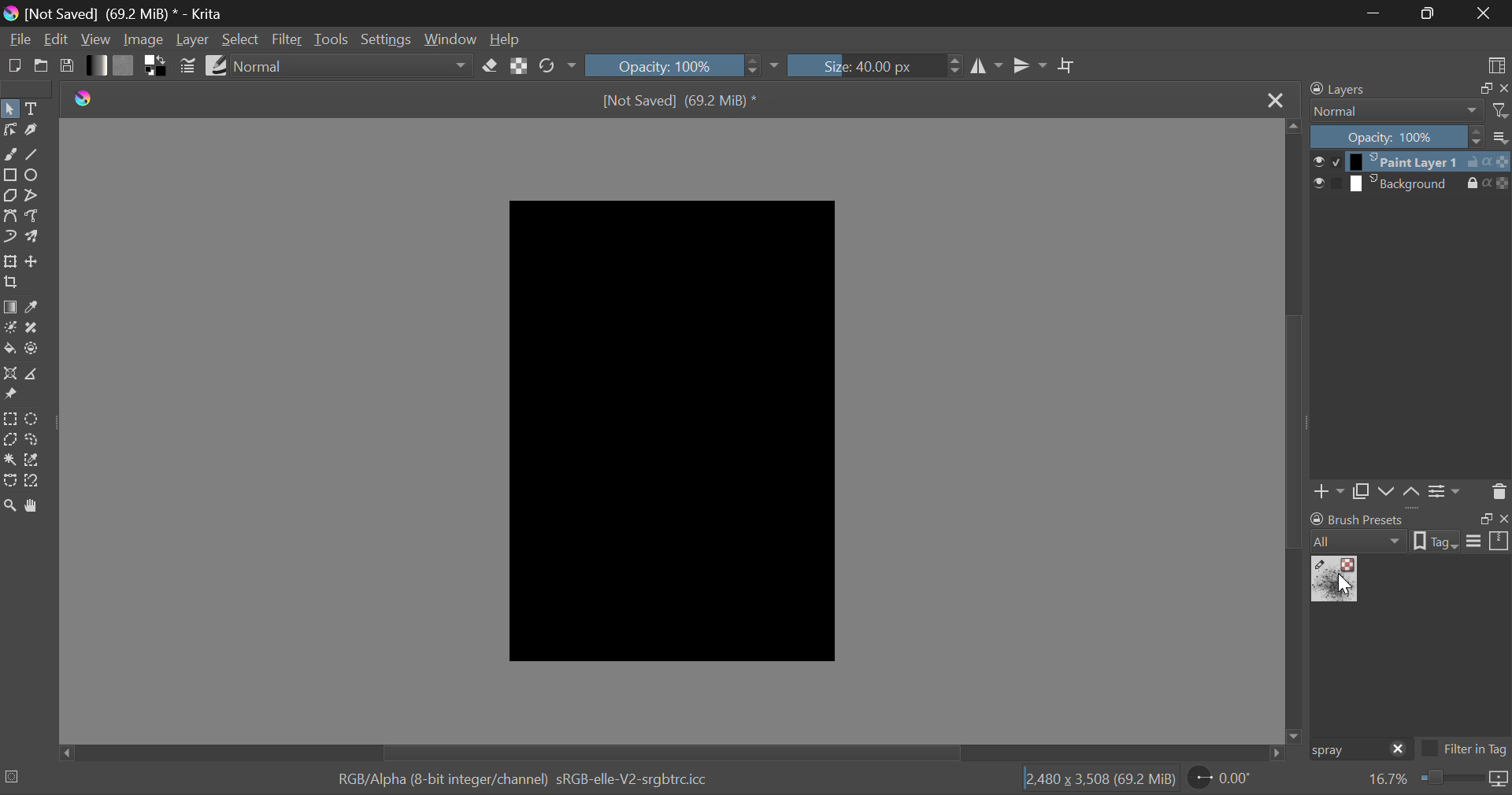  What do you see at coordinates (1399, 750) in the screenshot?
I see `close` at bounding box center [1399, 750].